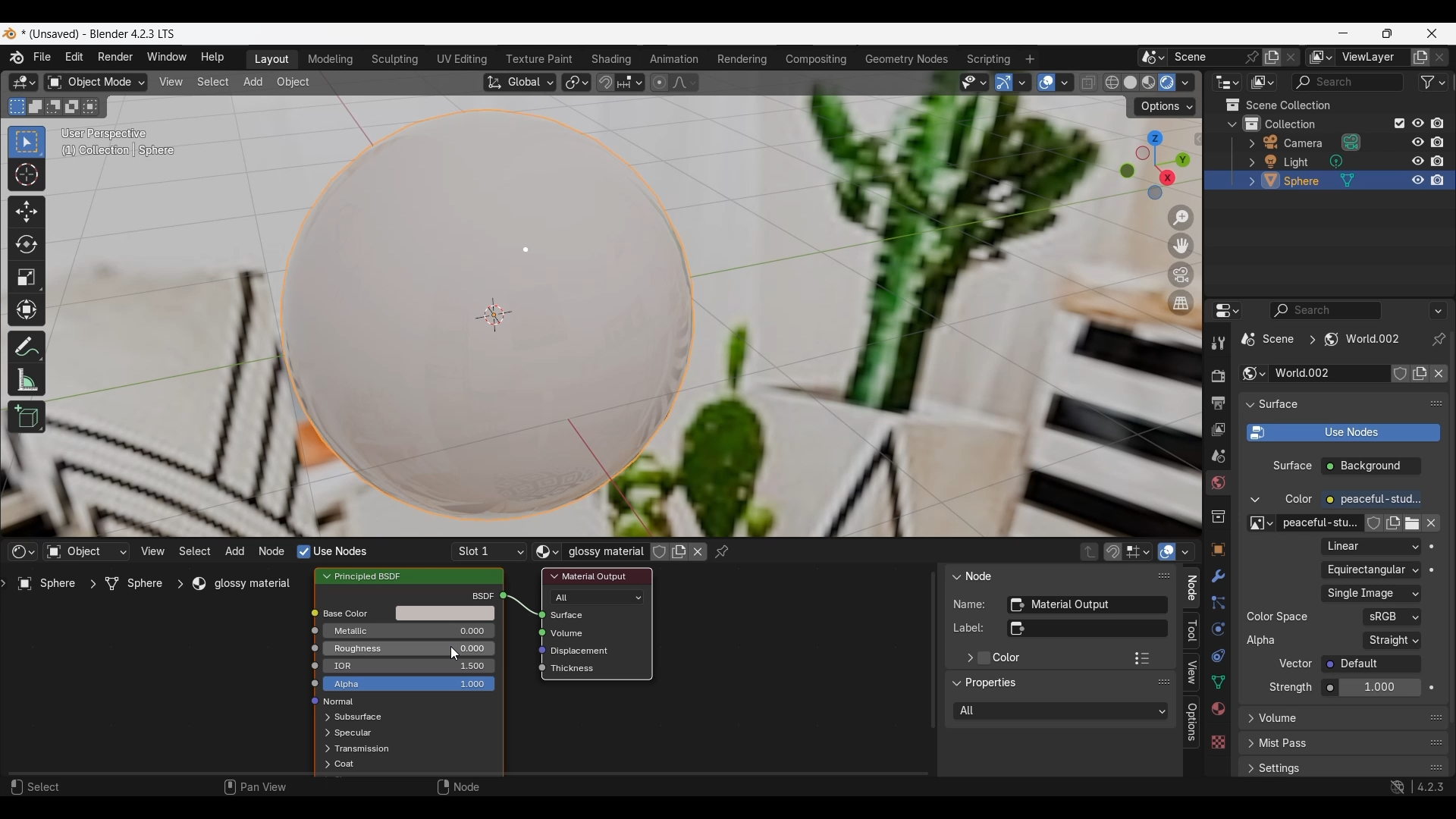 Image resolution: width=1456 pixels, height=819 pixels. What do you see at coordinates (1167, 82) in the screenshot?
I see `Viewport shading: rendered` at bounding box center [1167, 82].